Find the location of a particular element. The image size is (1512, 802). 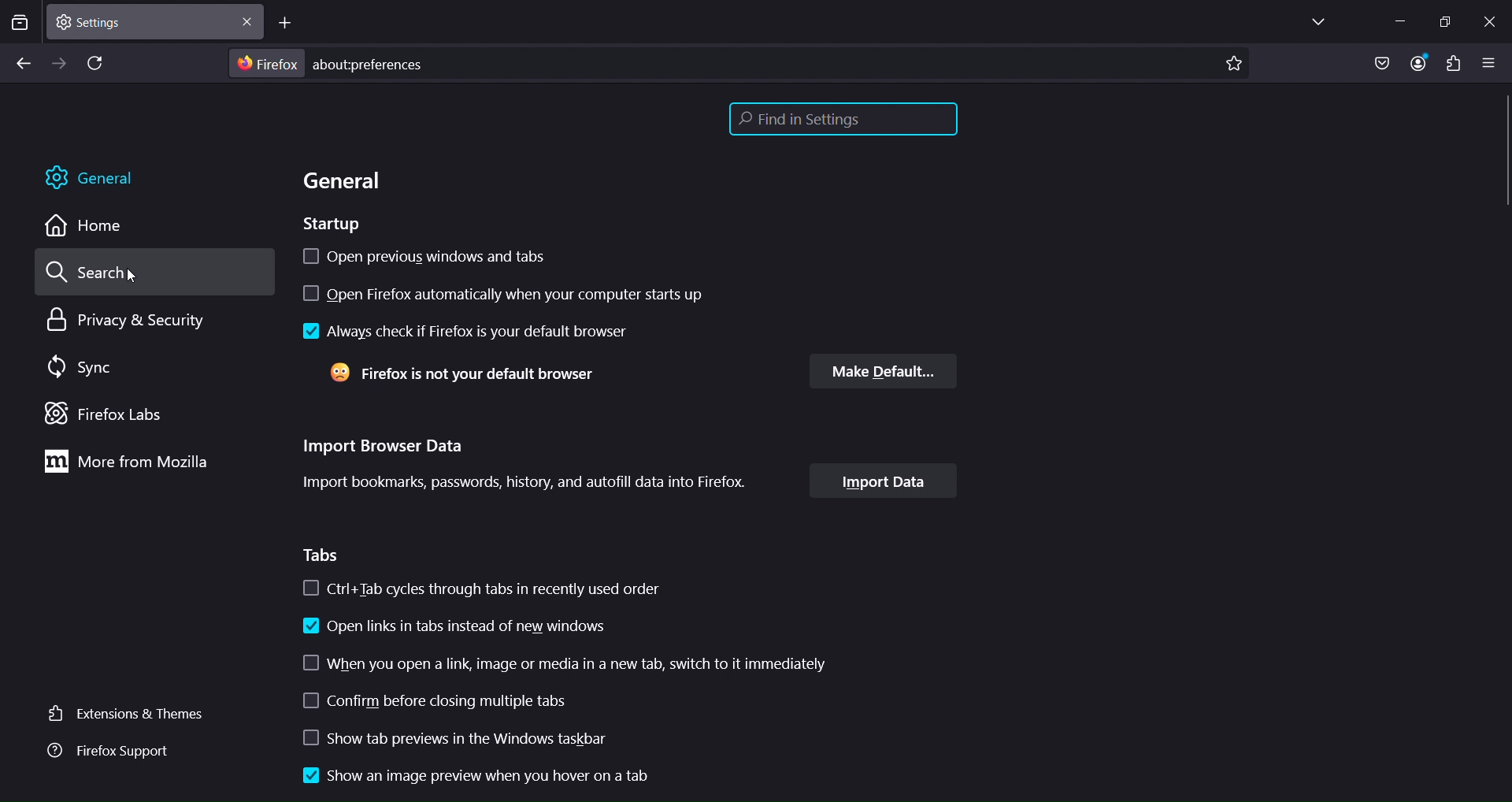

reload is located at coordinates (98, 65).